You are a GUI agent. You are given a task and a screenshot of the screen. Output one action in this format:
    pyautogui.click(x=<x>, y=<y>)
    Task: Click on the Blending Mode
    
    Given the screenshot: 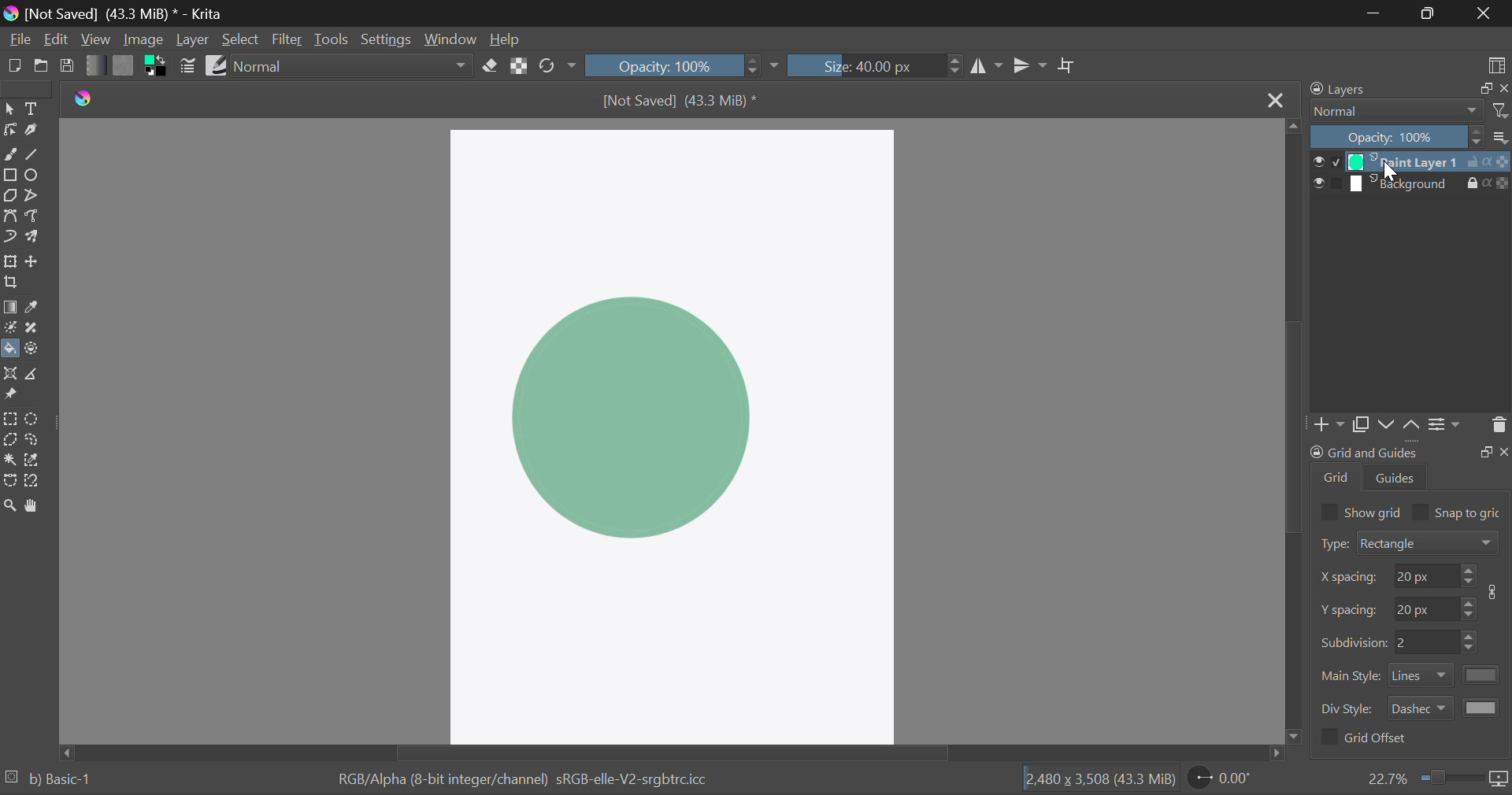 What is the action you would take?
    pyautogui.click(x=354, y=66)
    